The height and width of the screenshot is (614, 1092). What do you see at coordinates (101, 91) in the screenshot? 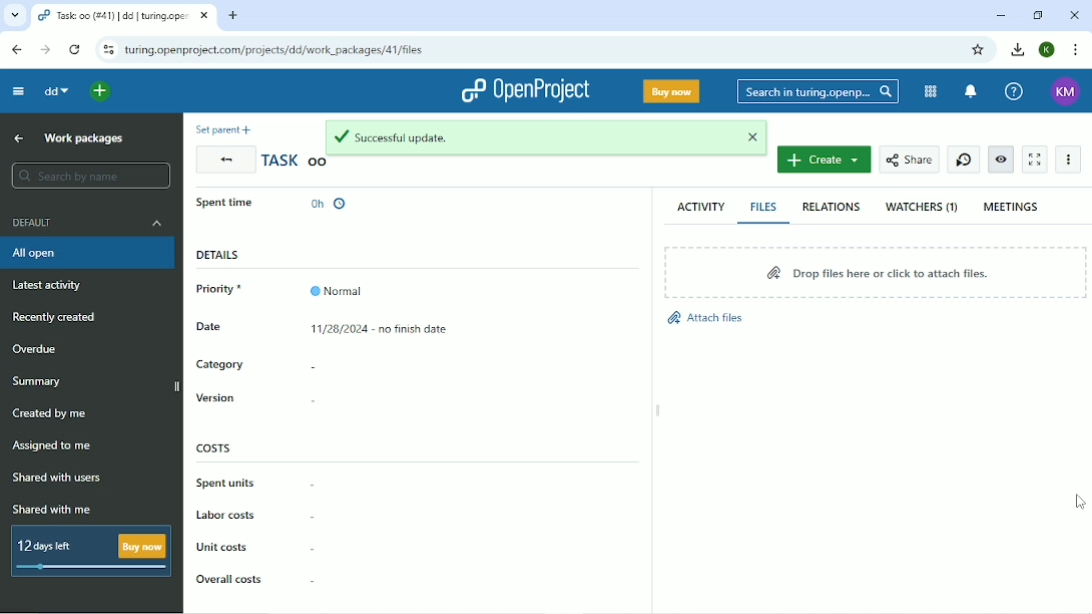
I see `Open quick add menu` at bounding box center [101, 91].